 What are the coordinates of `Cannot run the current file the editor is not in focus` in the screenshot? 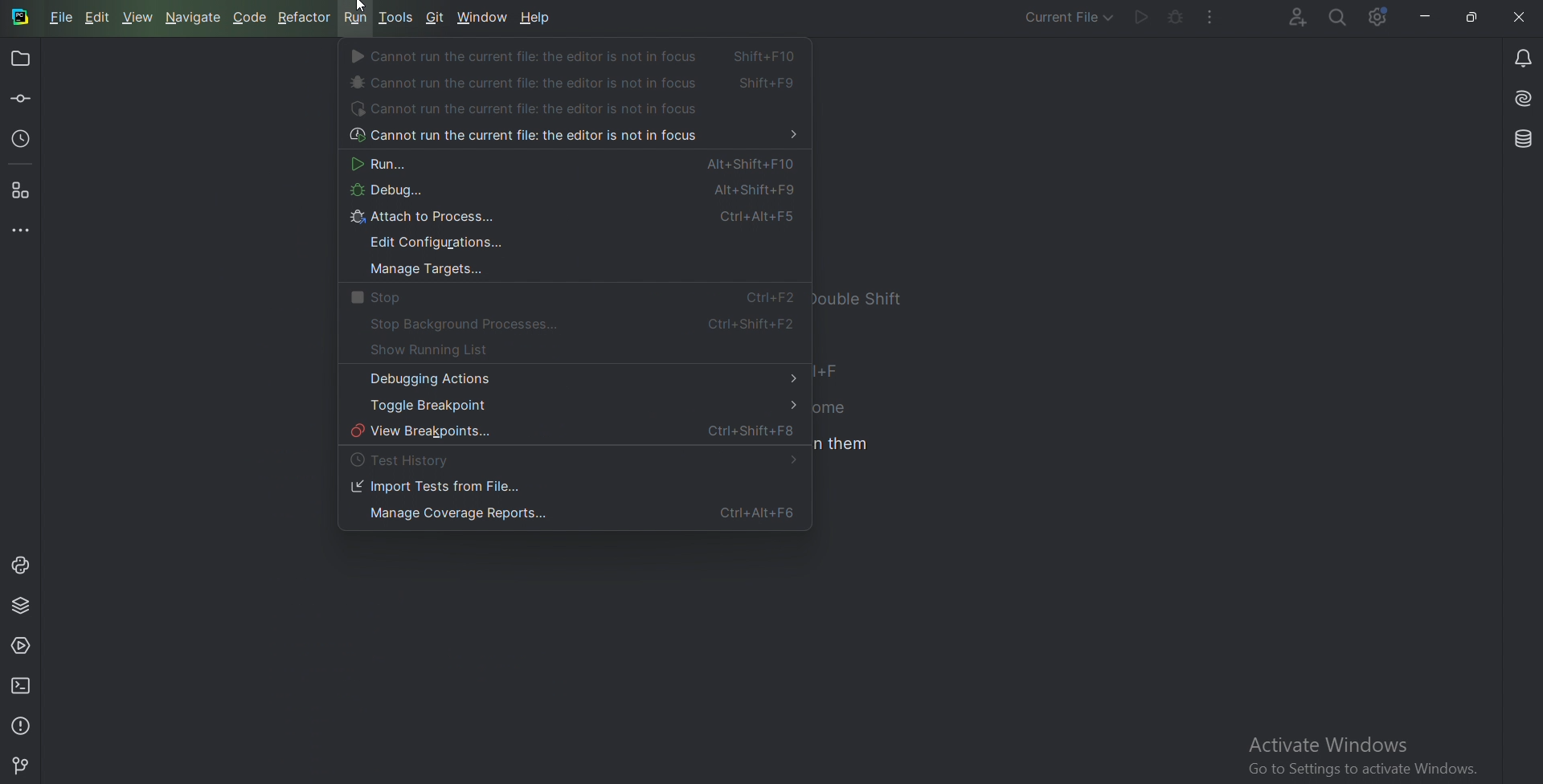 It's located at (578, 56).